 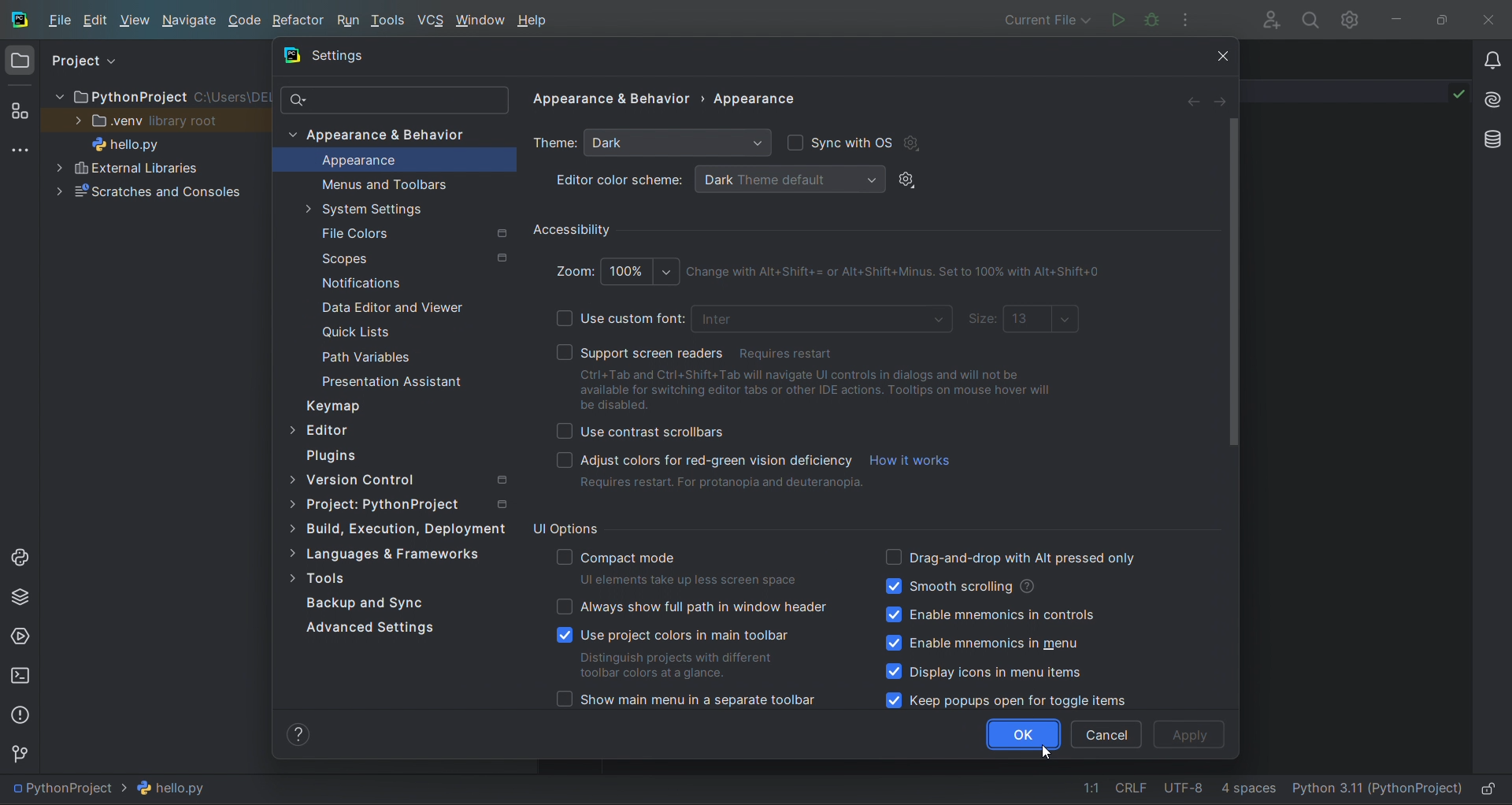 What do you see at coordinates (1191, 101) in the screenshot?
I see `arrow left` at bounding box center [1191, 101].